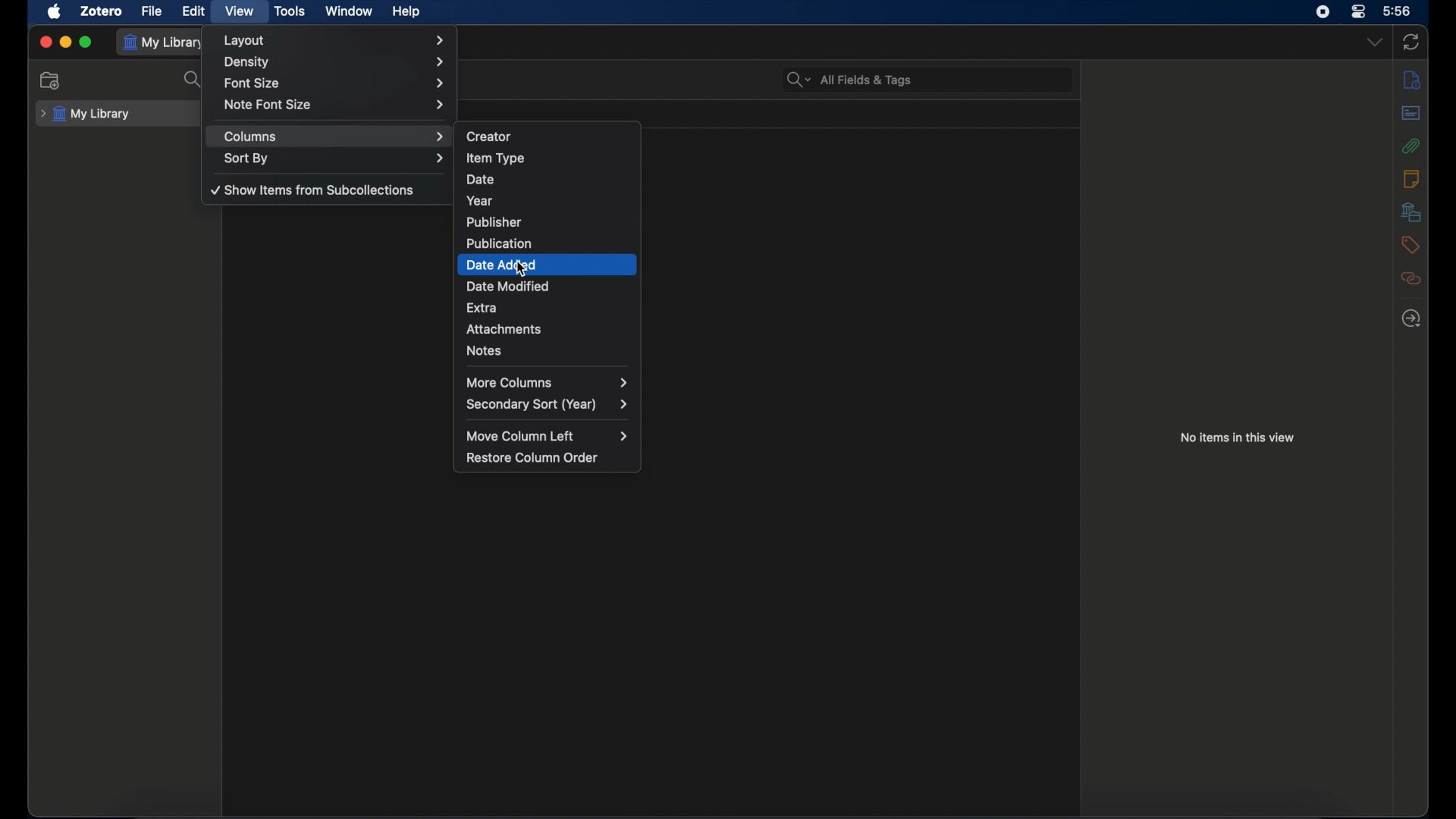 The image size is (1456, 819). Describe the element at coordinates (54, 11) in the screenshot. I see `apple icon` at that location.